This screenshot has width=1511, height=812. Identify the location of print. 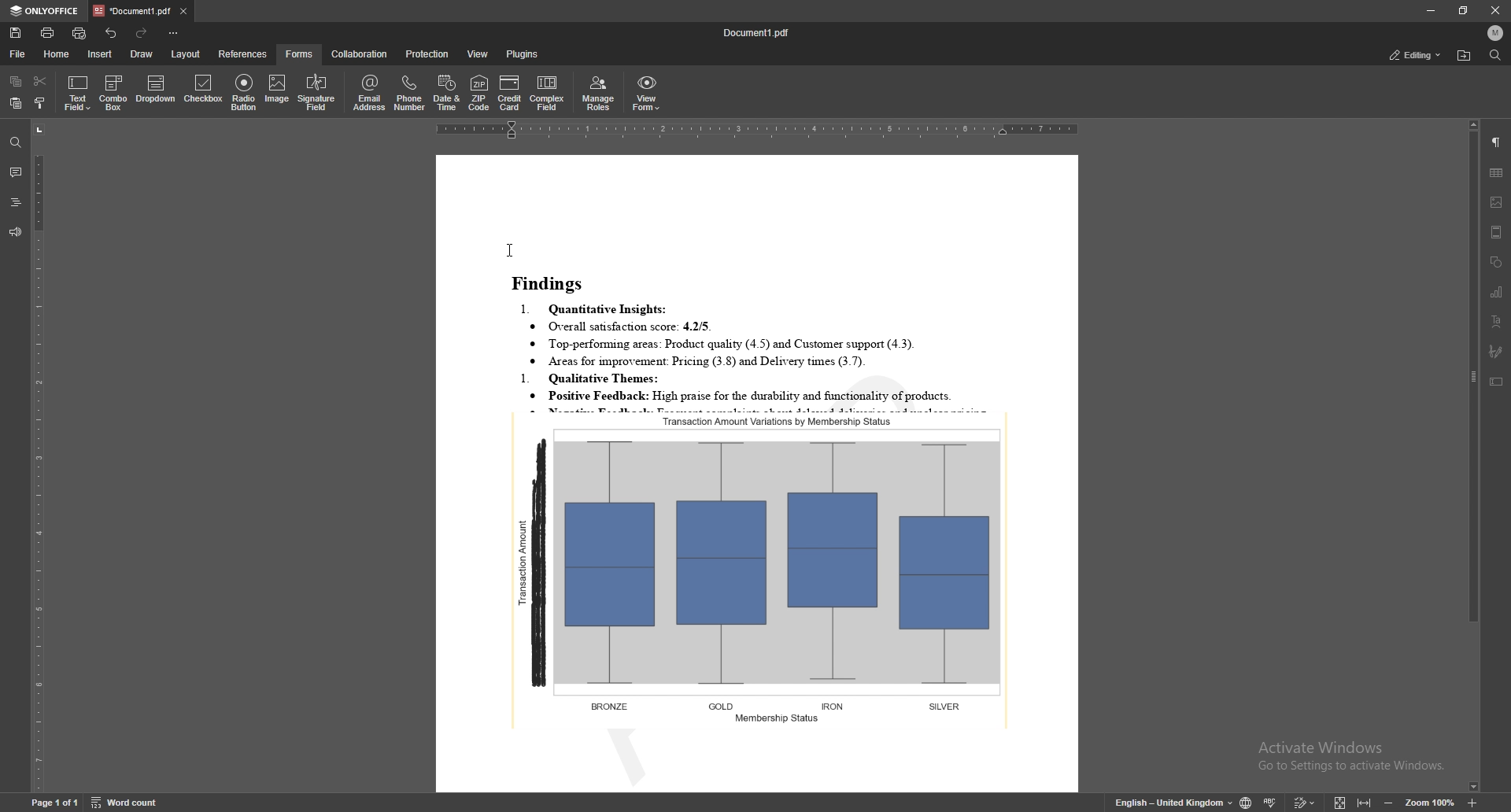
(48, 33).